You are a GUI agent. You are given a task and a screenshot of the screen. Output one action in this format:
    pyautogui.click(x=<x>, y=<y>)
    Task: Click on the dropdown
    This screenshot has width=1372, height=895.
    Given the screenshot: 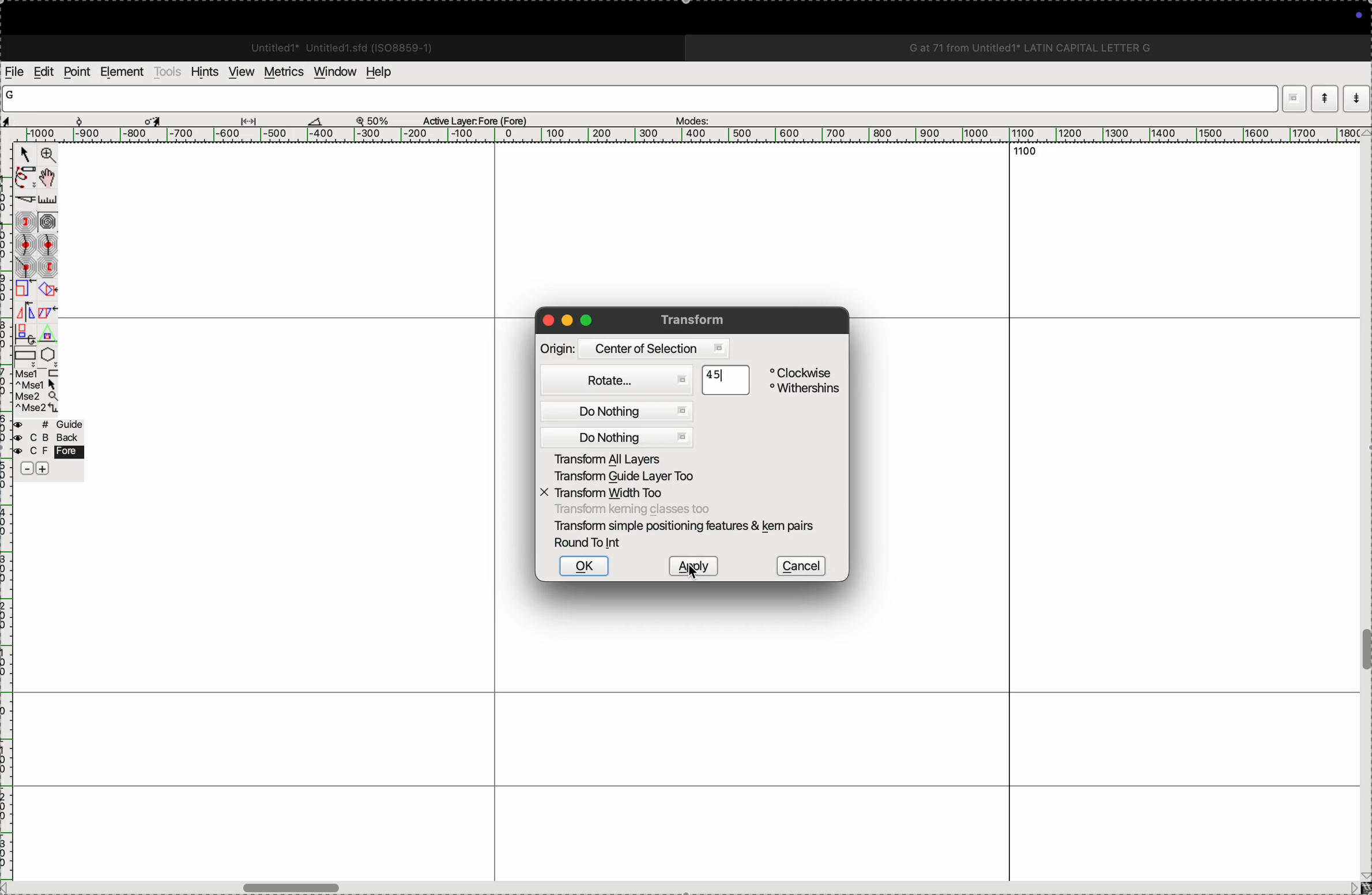 What is the action you would take?
    pyautogui.click(x=1294, y=97)
    